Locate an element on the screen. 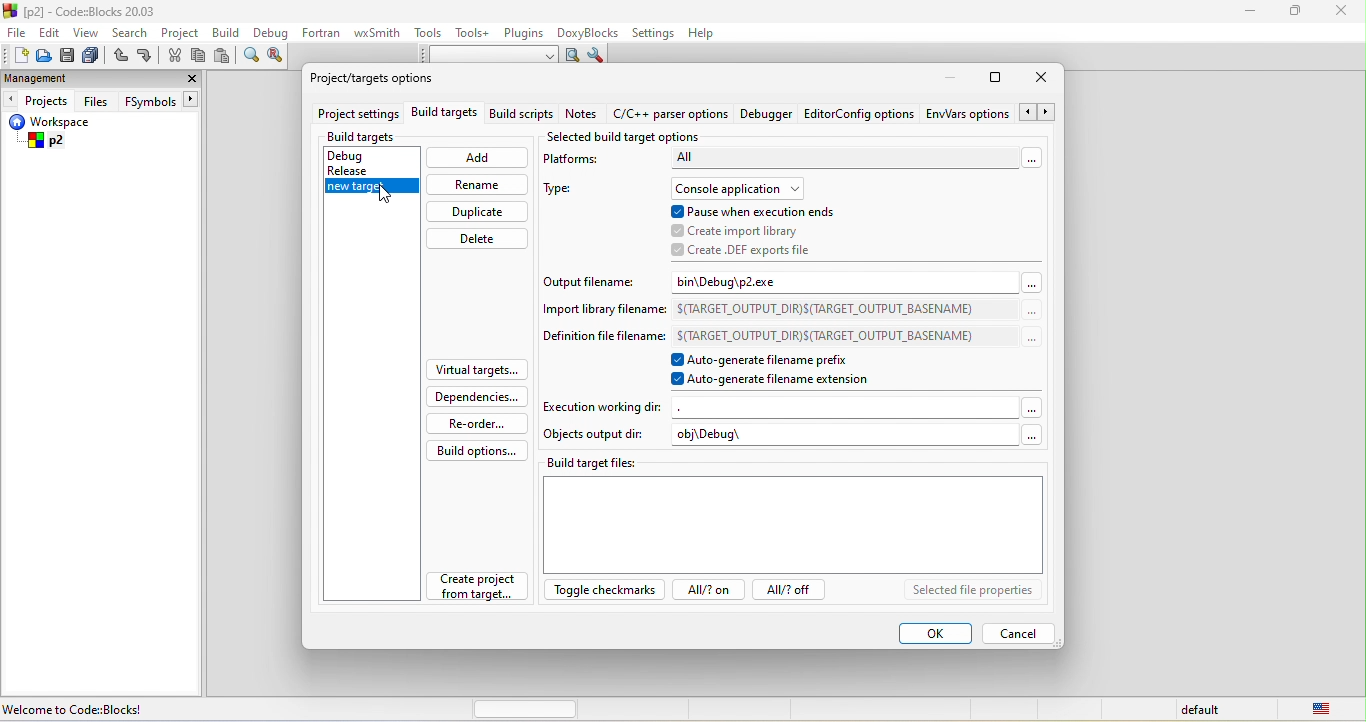  close is located at coordinates (1044, 80).